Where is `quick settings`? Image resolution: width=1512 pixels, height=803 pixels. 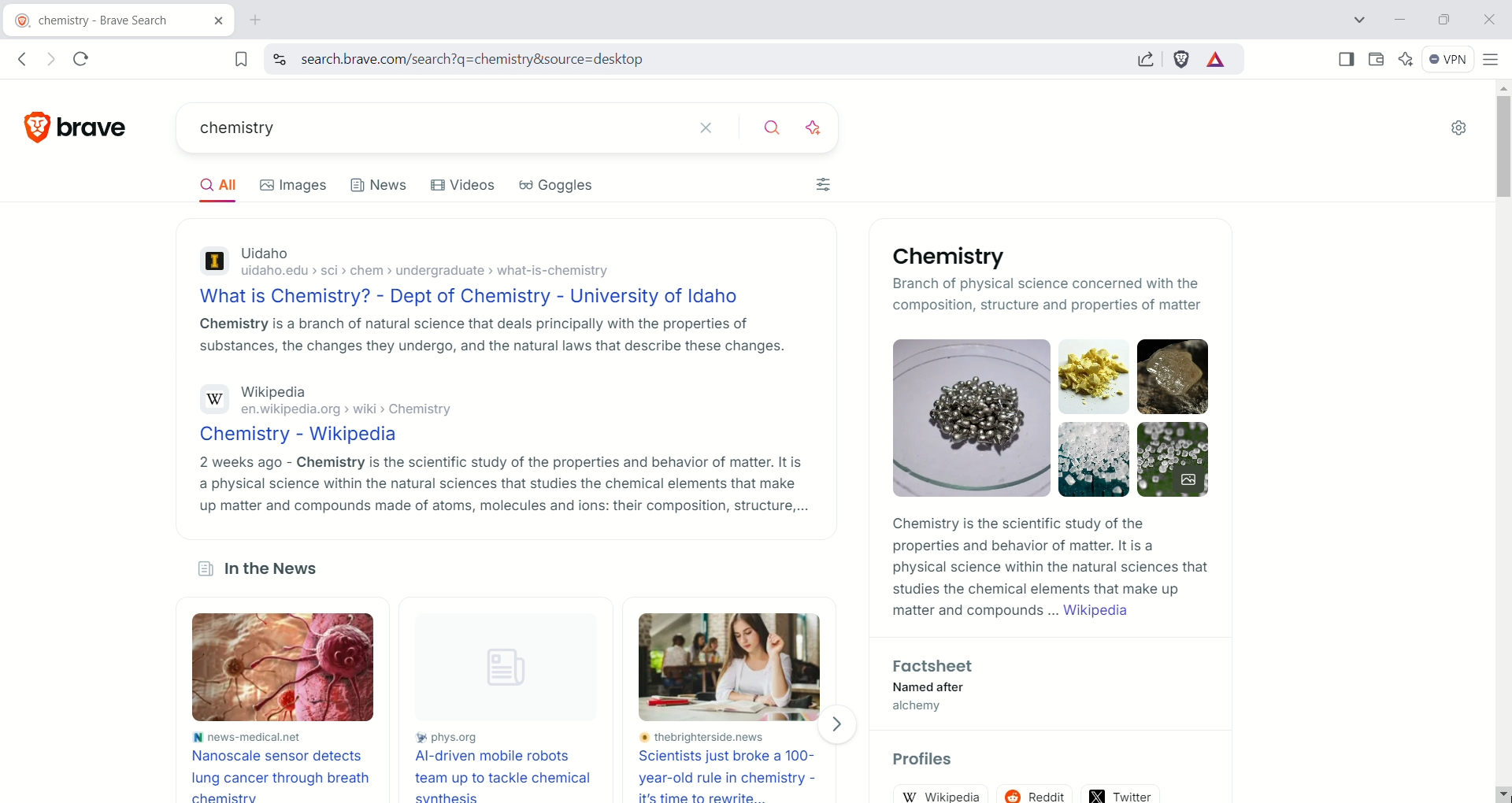 quick settings is located at coordinates (1458, 129).